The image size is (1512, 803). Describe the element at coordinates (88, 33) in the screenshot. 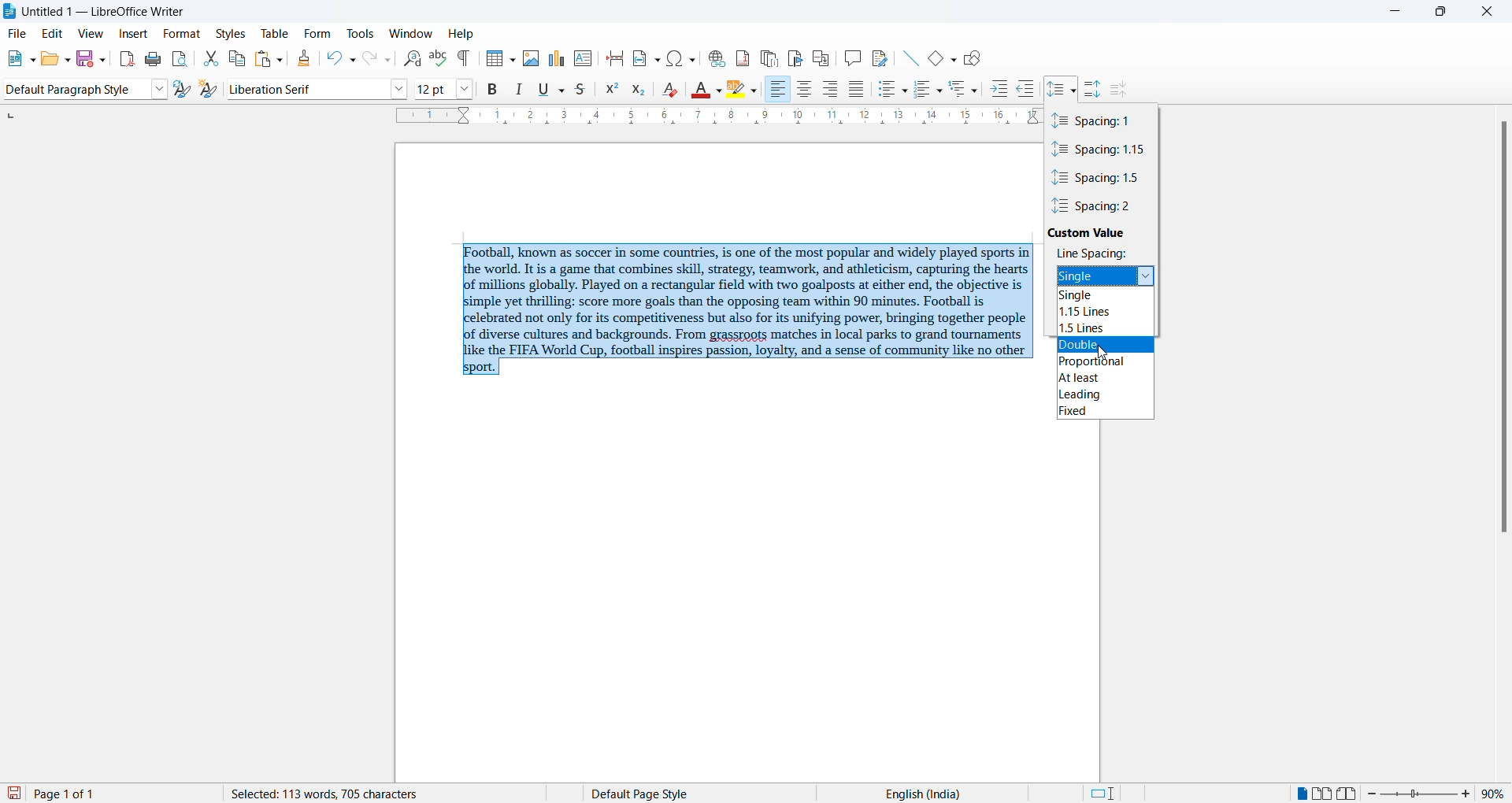

I see `view` at that location.